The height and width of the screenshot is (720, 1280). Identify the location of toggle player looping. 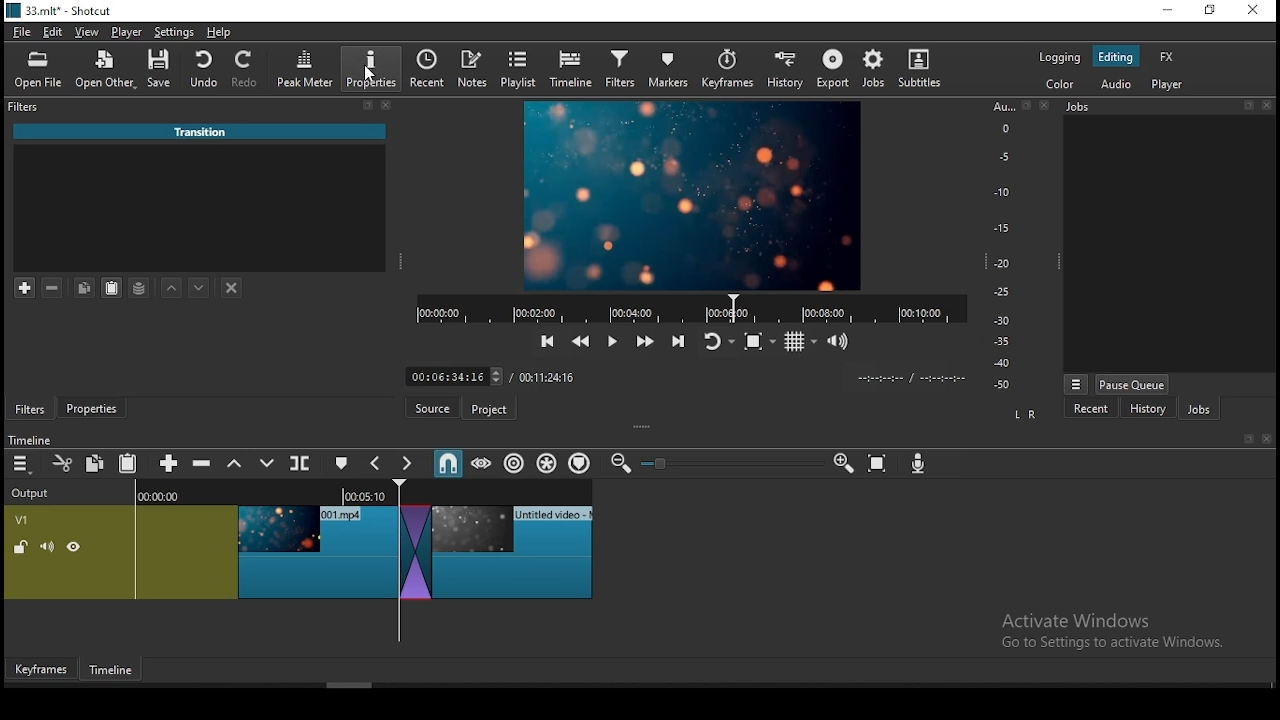
(716, 343).